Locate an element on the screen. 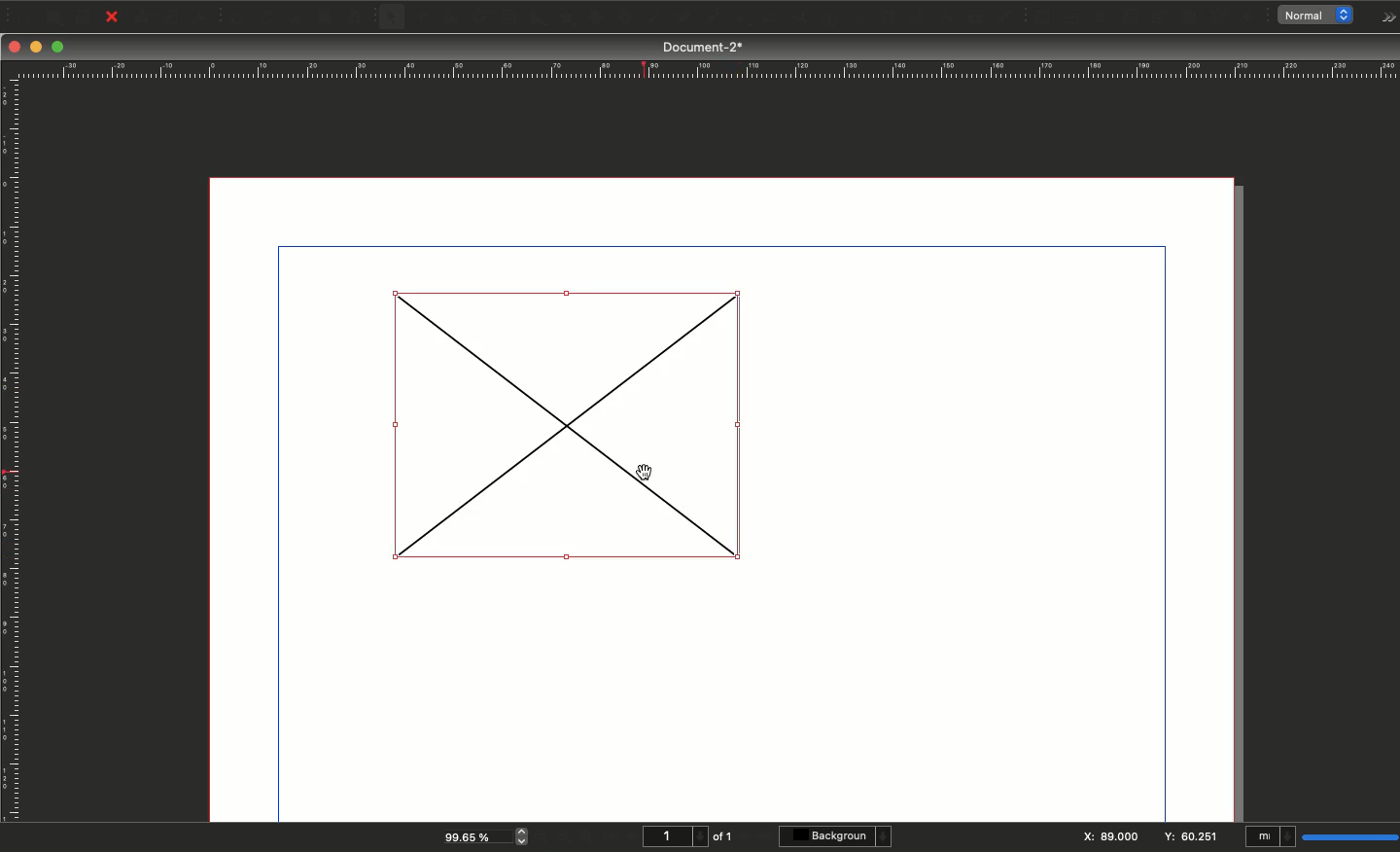 This screenshot has width=1400, height=852. Text frame is located at coordinates (421, 19).